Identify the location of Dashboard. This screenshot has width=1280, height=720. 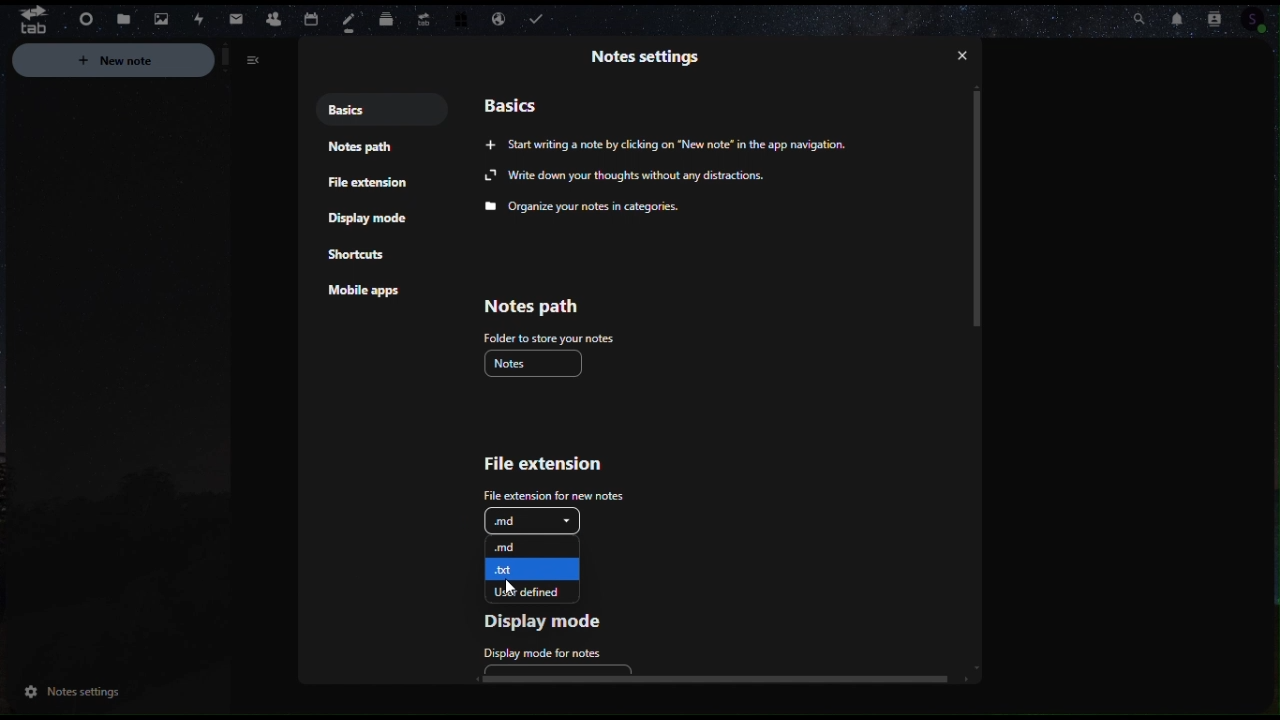
(83, 21).